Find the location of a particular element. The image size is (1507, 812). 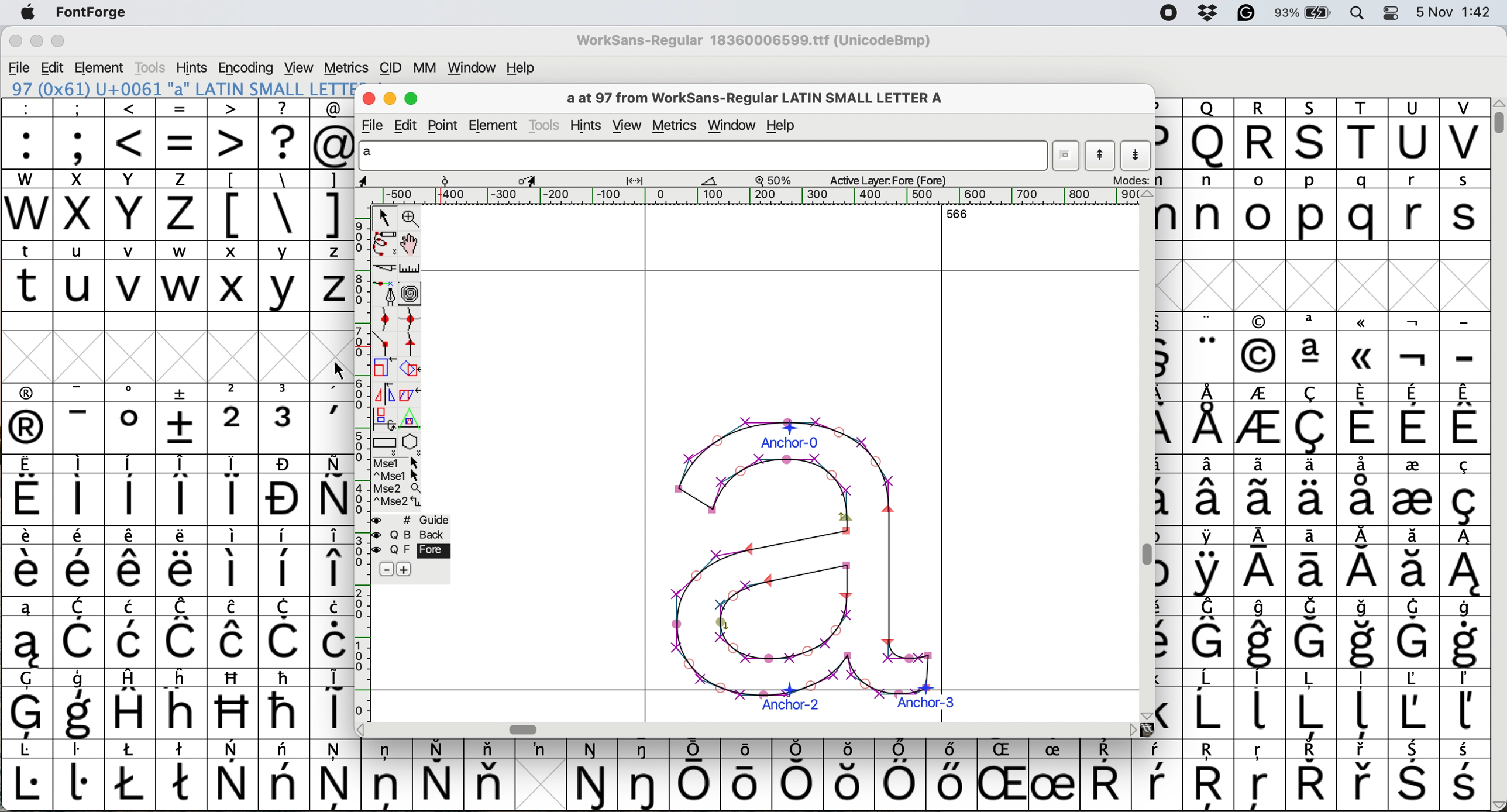

symbol is located at coordinates (1054, 776).